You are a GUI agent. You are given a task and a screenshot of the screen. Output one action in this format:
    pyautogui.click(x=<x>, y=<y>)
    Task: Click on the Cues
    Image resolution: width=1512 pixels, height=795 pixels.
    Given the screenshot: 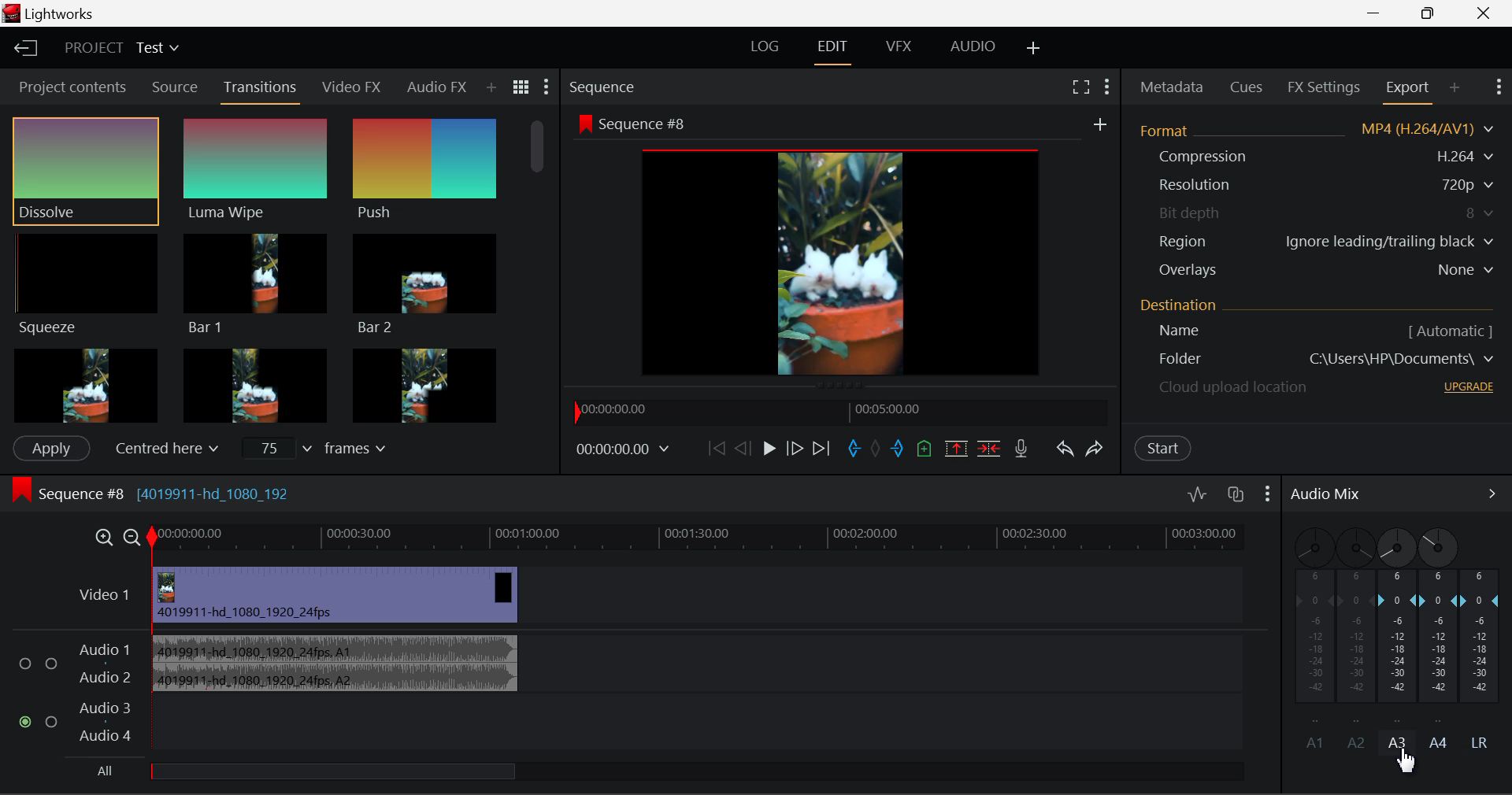 What is the action you would take?
    pyautogui.click(x=1246, y=86)
    